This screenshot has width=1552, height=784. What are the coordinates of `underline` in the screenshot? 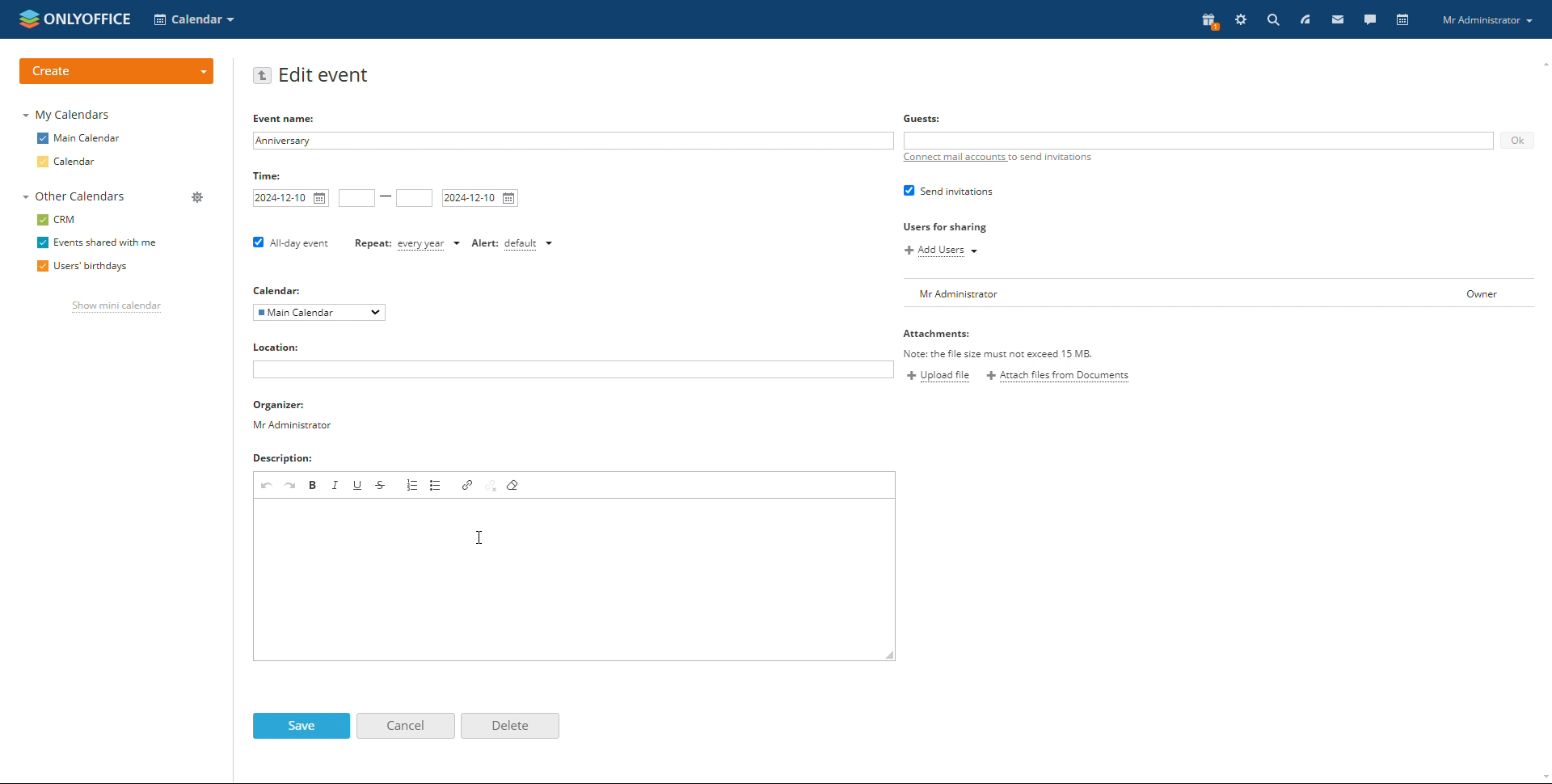 It's located at (359, 484).